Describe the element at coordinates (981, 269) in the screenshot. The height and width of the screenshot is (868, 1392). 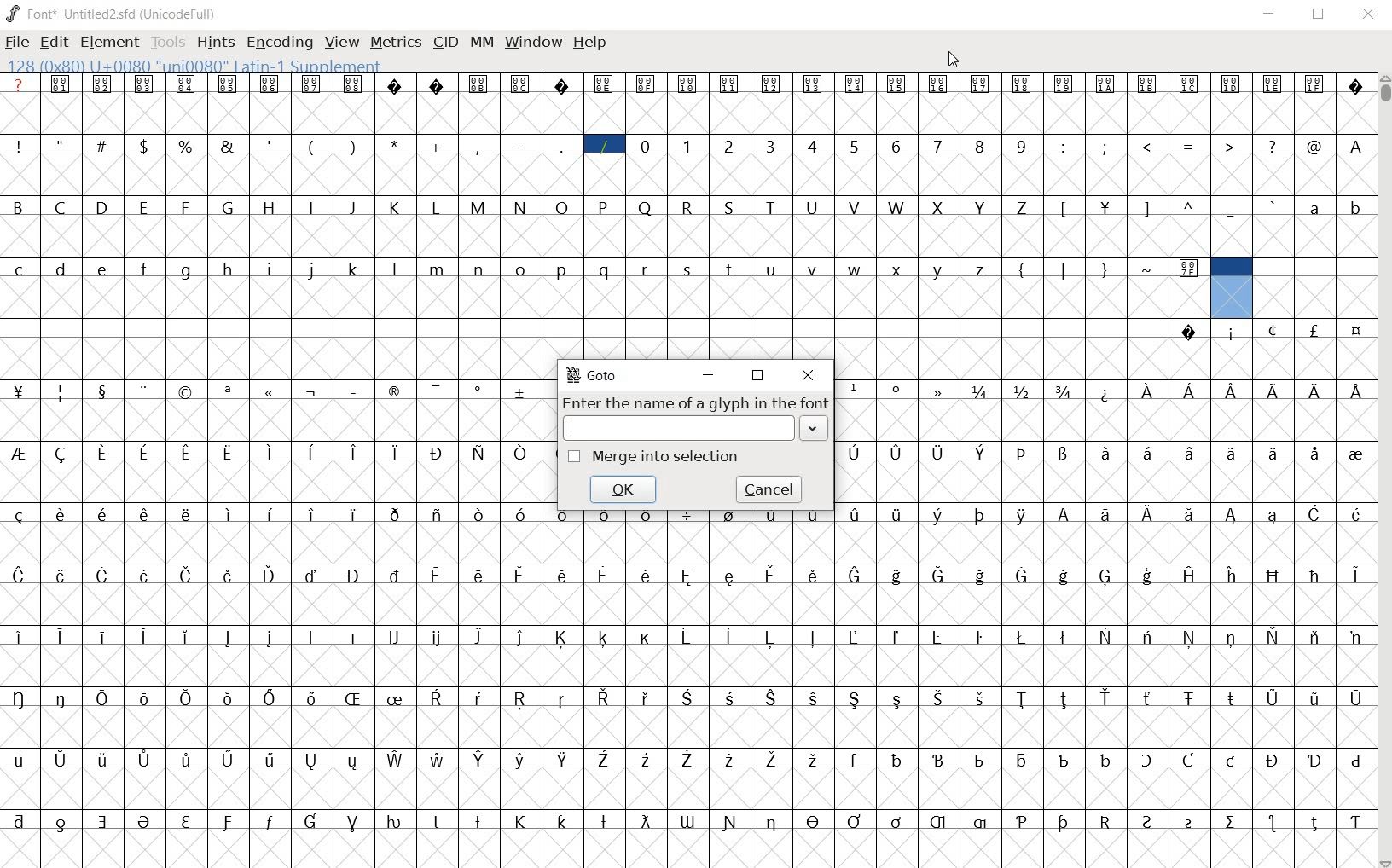
I see `z` at that location.